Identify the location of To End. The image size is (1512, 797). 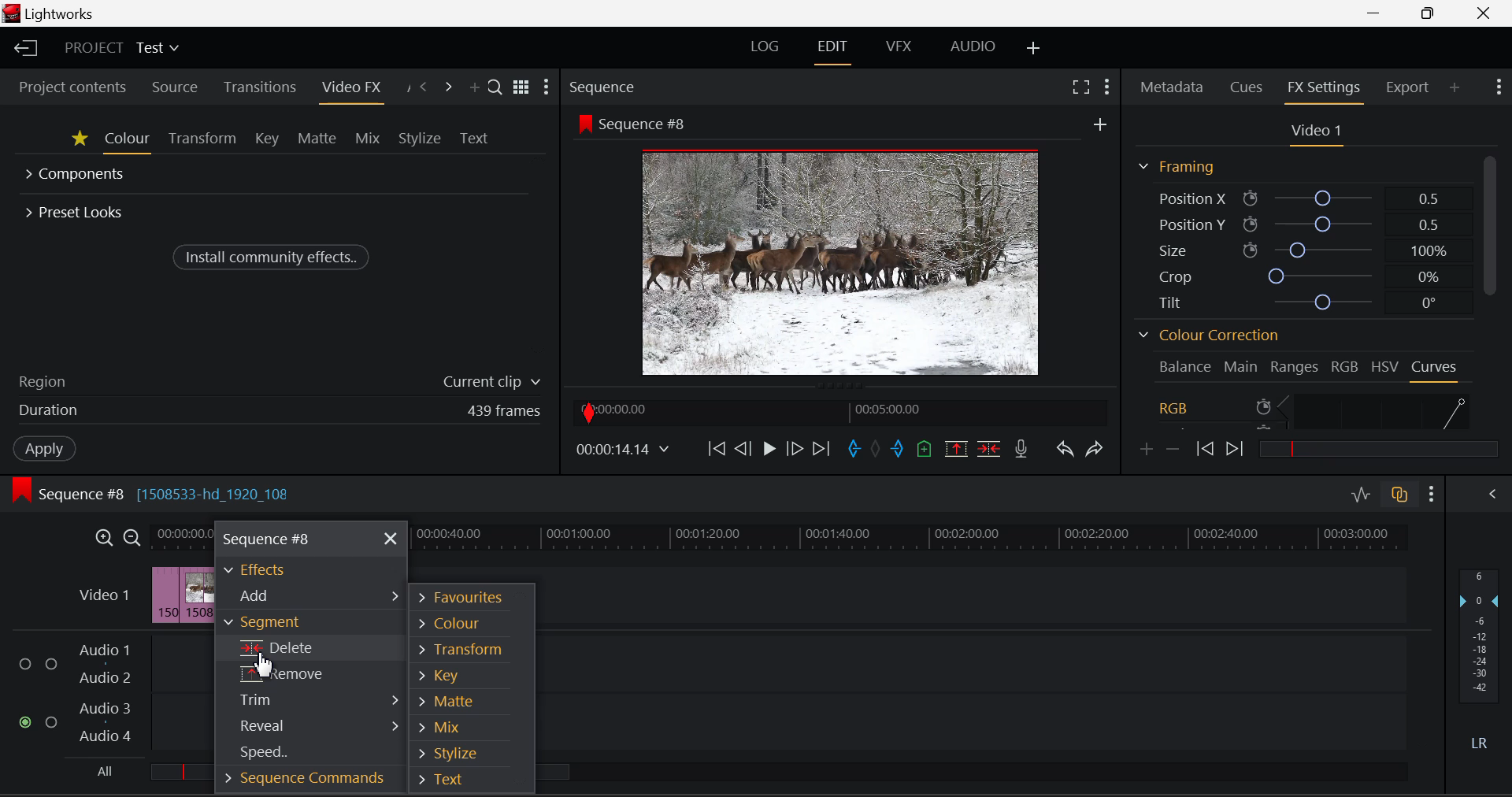
(825, 449).